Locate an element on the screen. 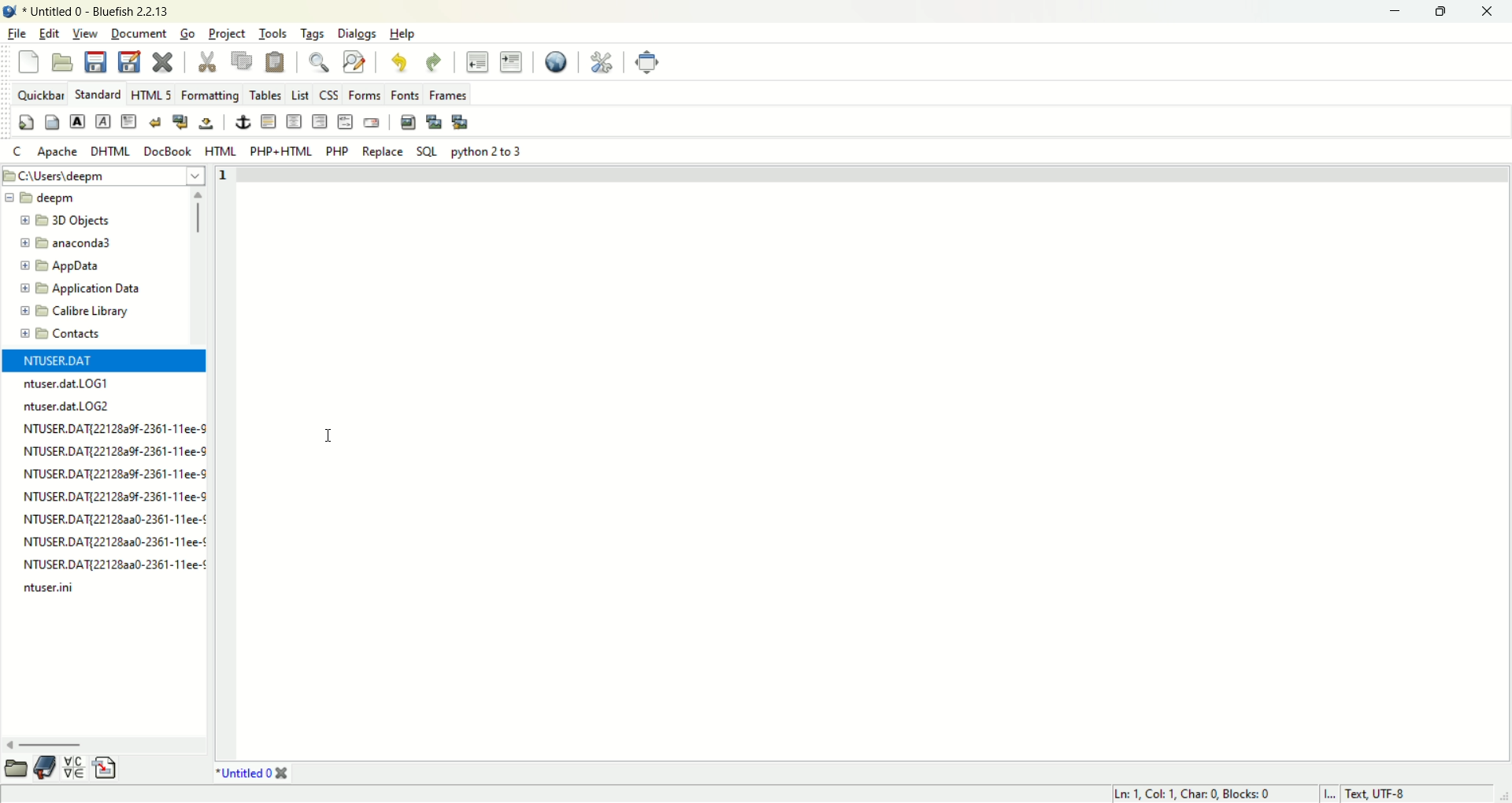 The width and height of the screenshot is (1512, 803). horizontal rule is located at coordinates (270, 120).